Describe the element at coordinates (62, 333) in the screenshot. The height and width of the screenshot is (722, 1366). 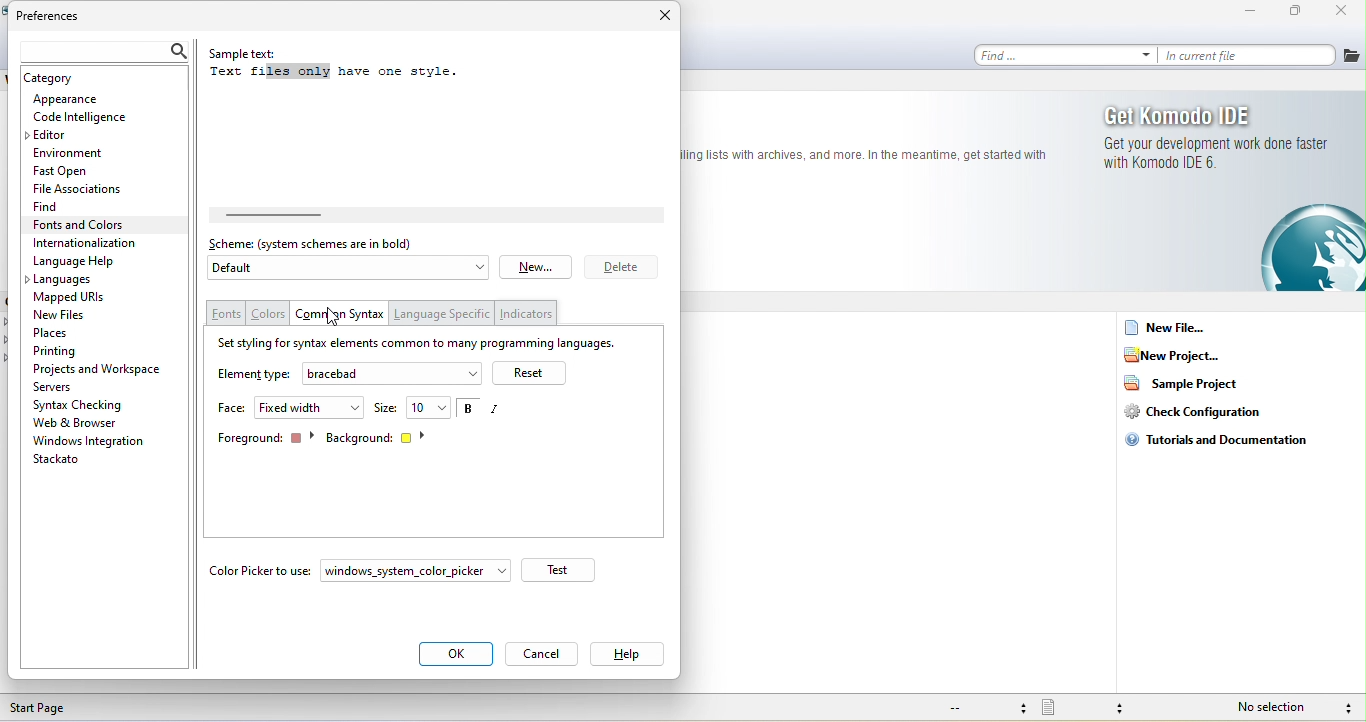
I see `place` at that location.